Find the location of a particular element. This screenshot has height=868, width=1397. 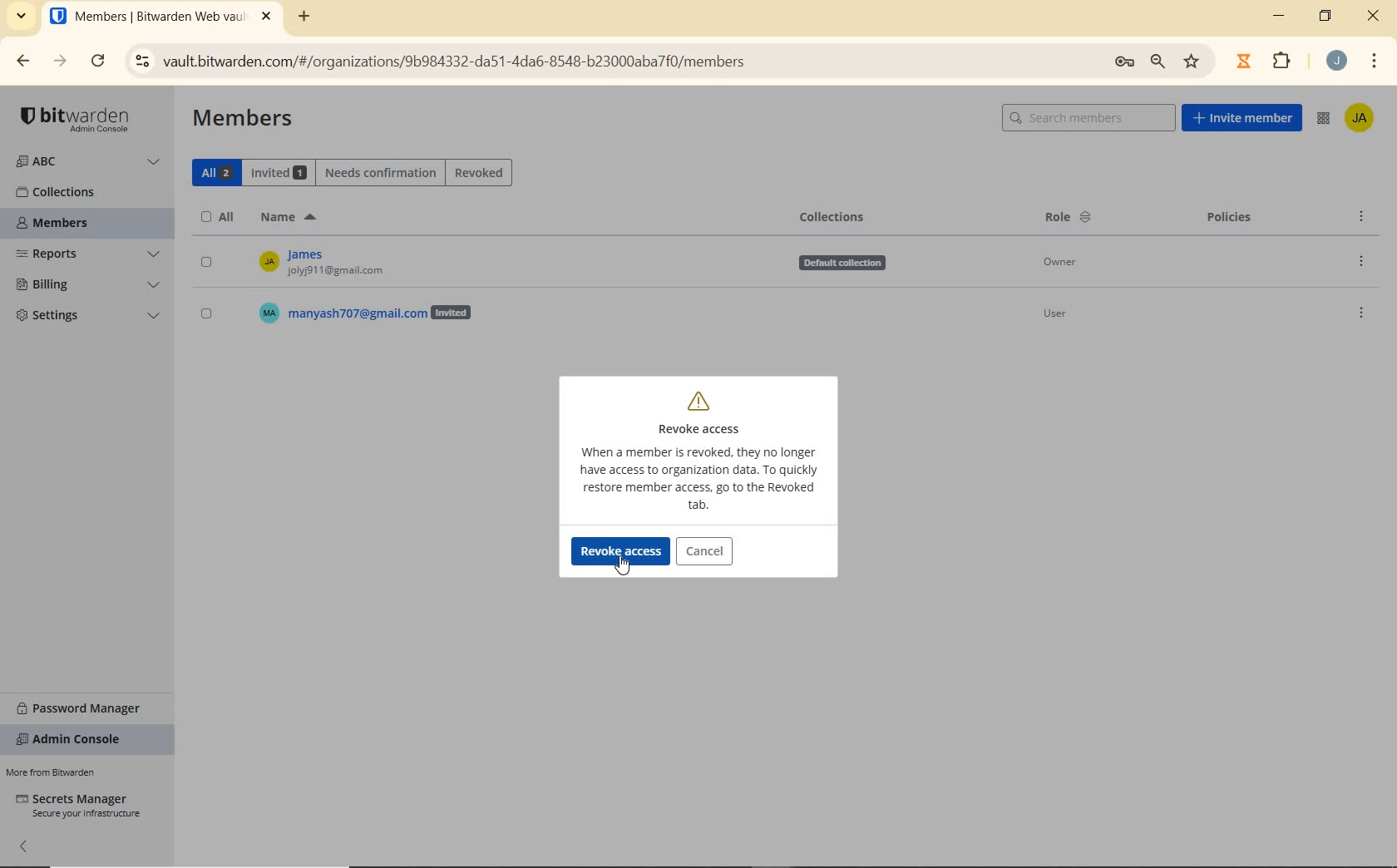

REPORTS is located at coordinates (91, 254).